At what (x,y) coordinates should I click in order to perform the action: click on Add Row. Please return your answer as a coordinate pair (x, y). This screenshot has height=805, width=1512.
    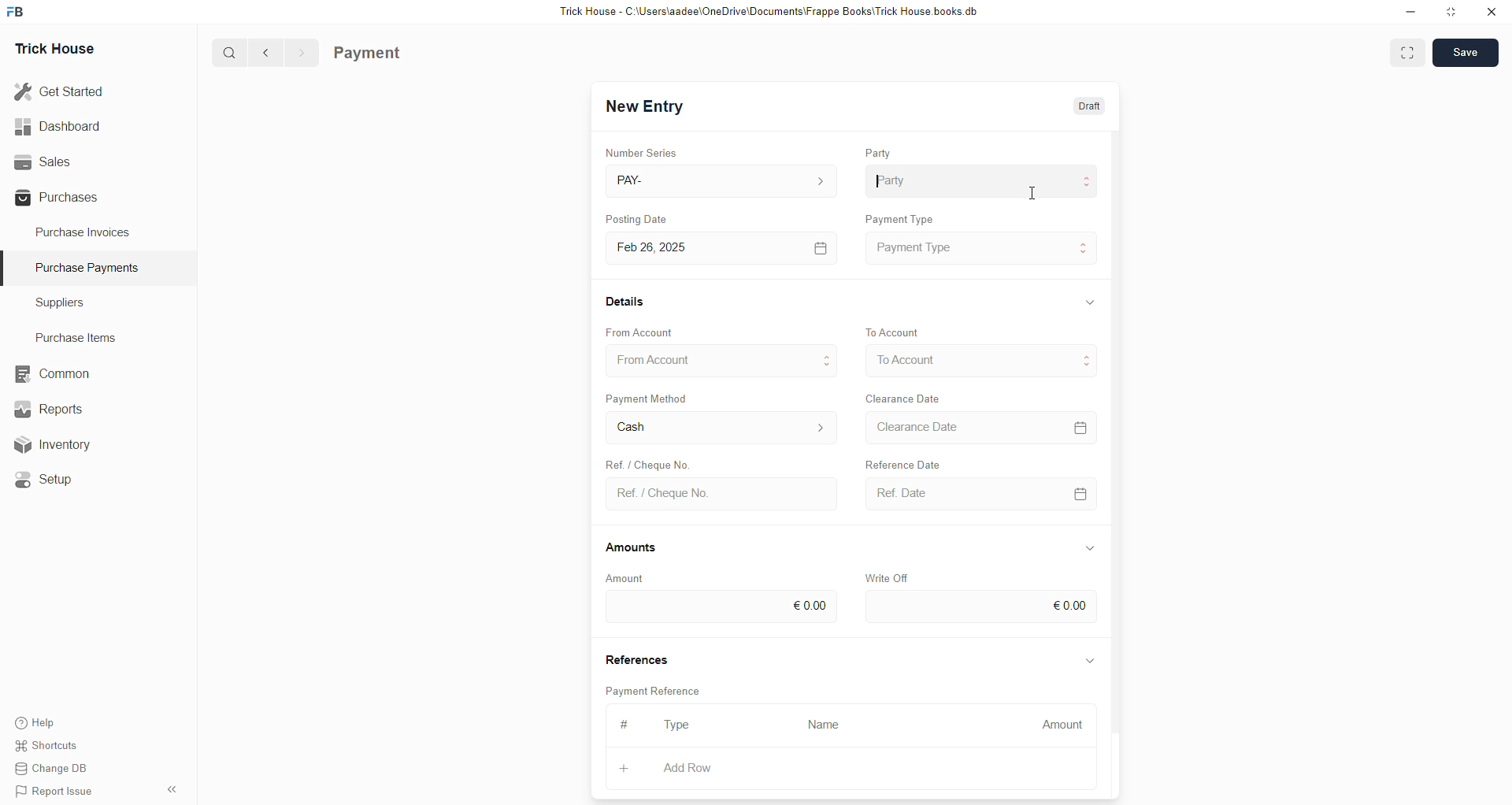
    Looking at the image, I should click on (687, 767).